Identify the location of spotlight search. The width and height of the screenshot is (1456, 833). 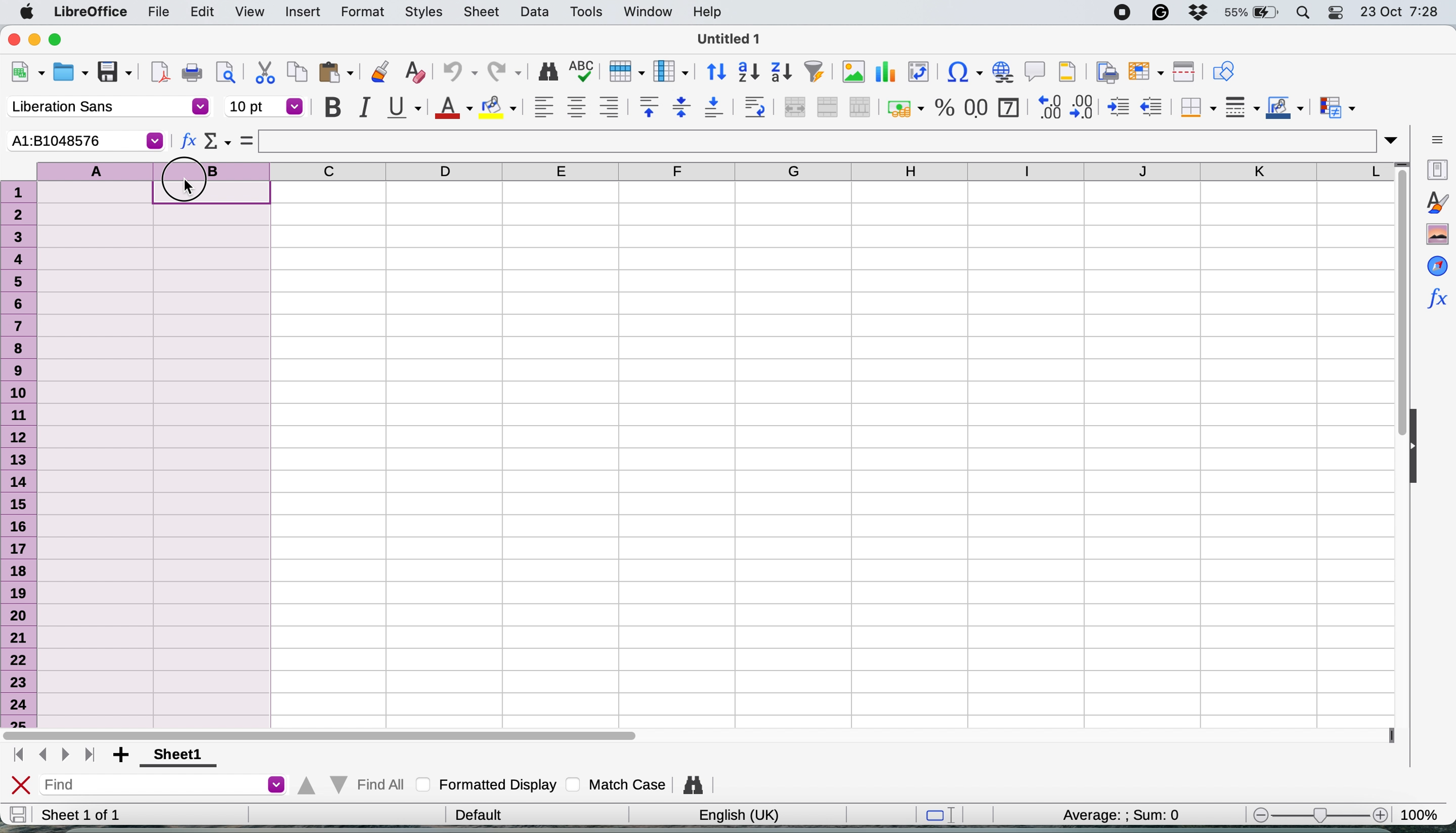
(1301, 13).